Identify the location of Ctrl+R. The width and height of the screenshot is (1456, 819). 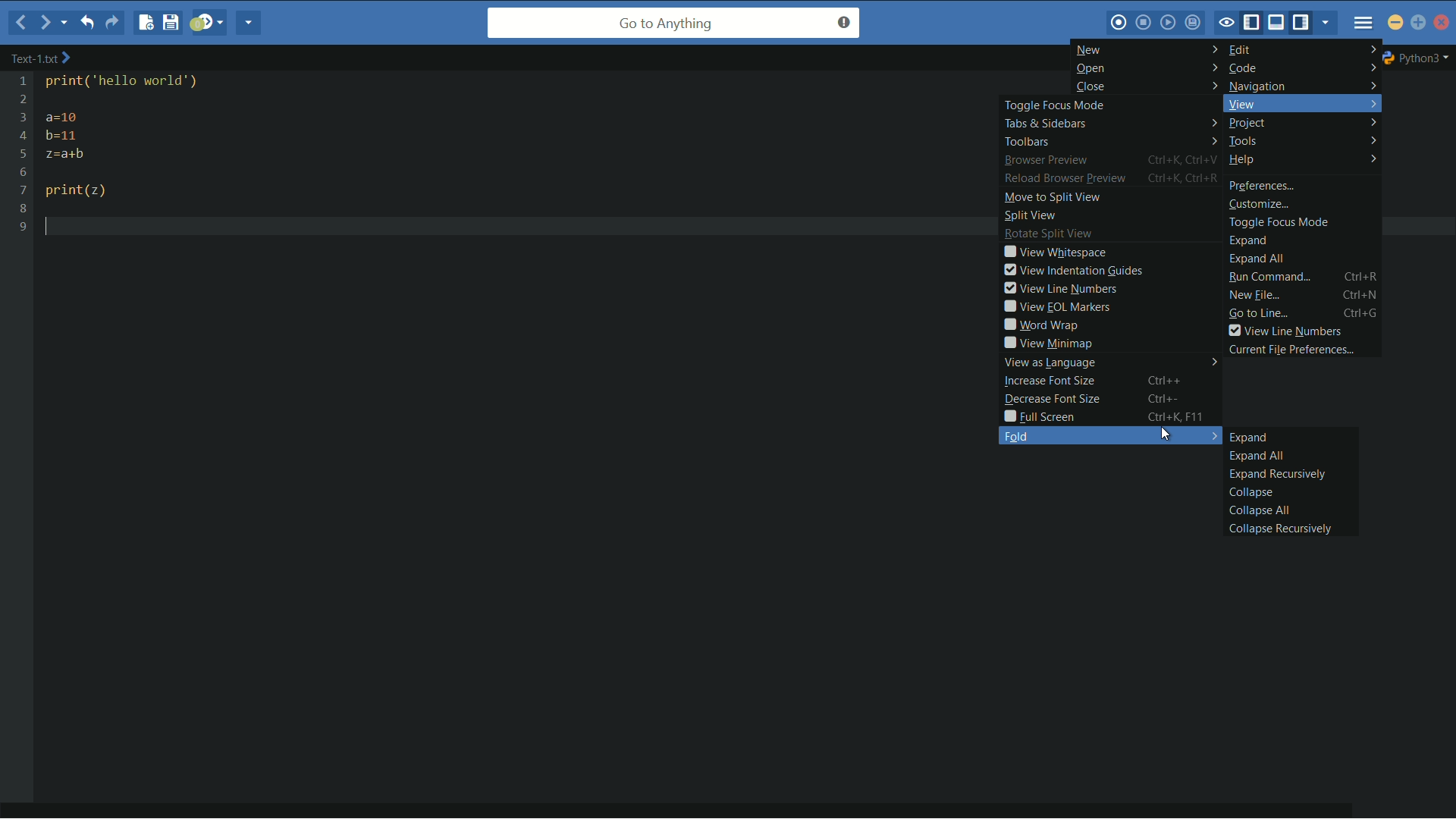
(1363, 276).